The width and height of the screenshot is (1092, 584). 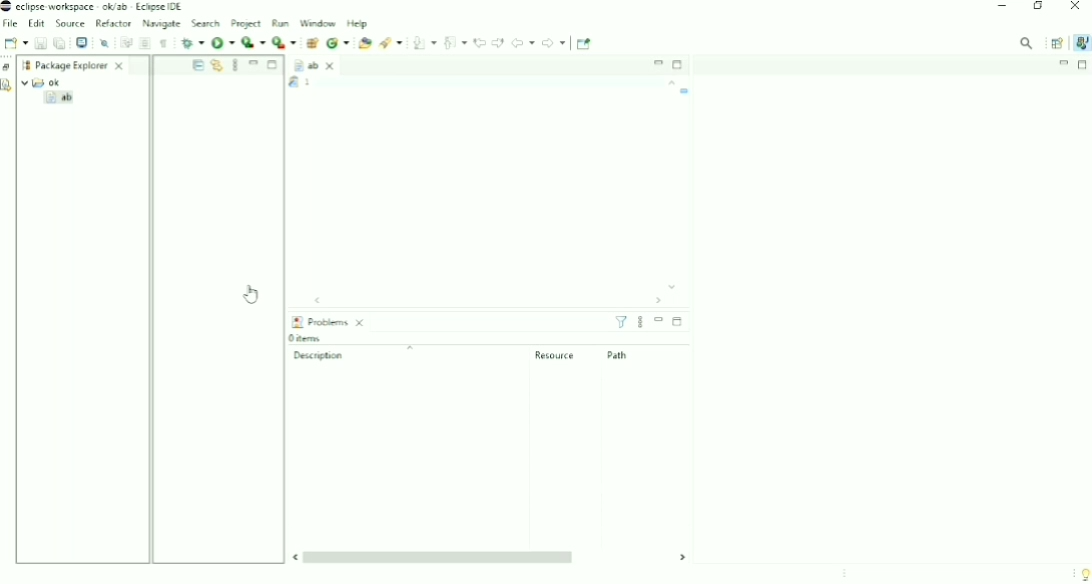 What do you see at coordinates (254, 42) in the screenshot?
I see `Coverage` at bounding box center [254, 42].